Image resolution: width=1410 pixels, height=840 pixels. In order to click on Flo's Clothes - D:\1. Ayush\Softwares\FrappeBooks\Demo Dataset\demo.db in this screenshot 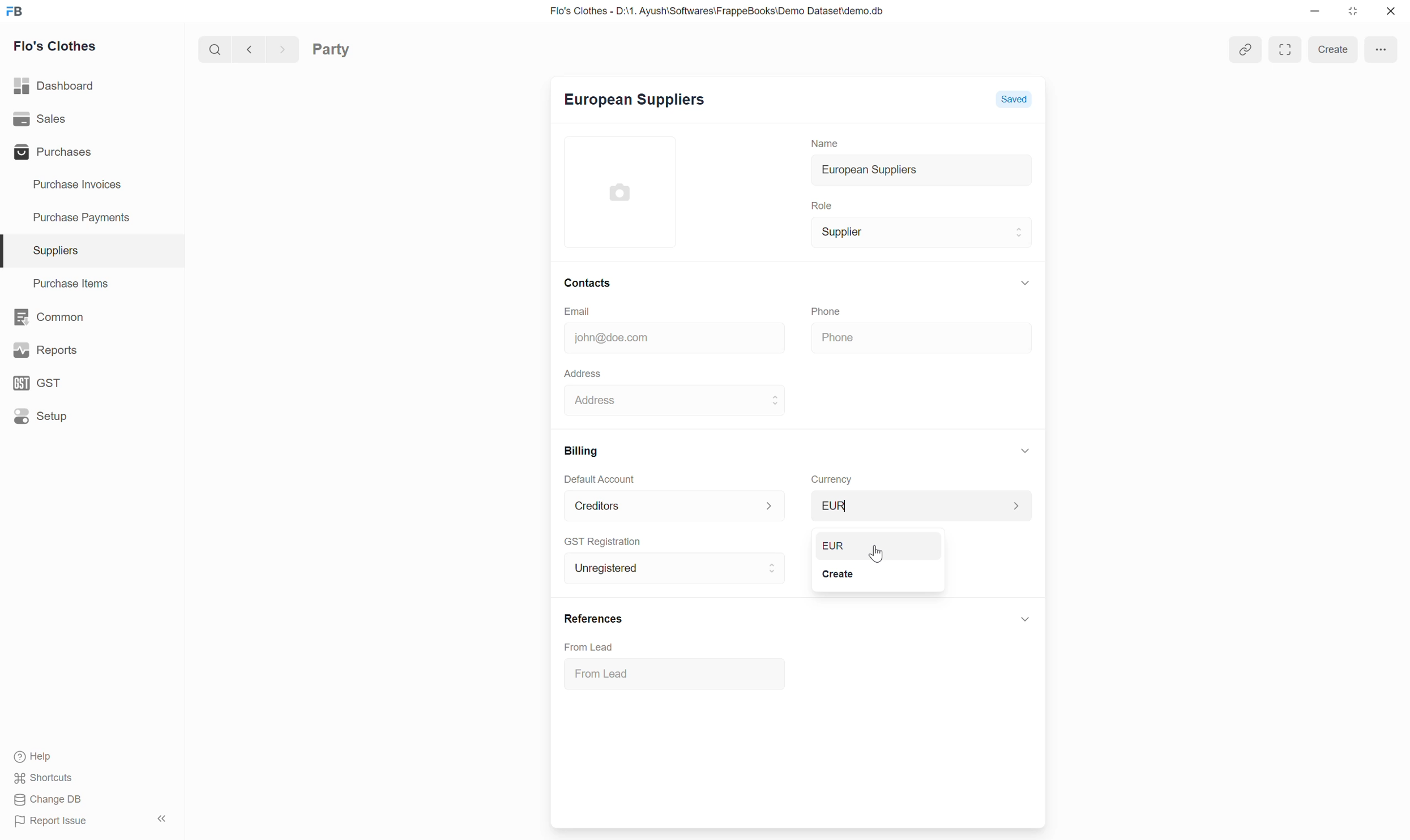, I will do `click(704, 9)`.